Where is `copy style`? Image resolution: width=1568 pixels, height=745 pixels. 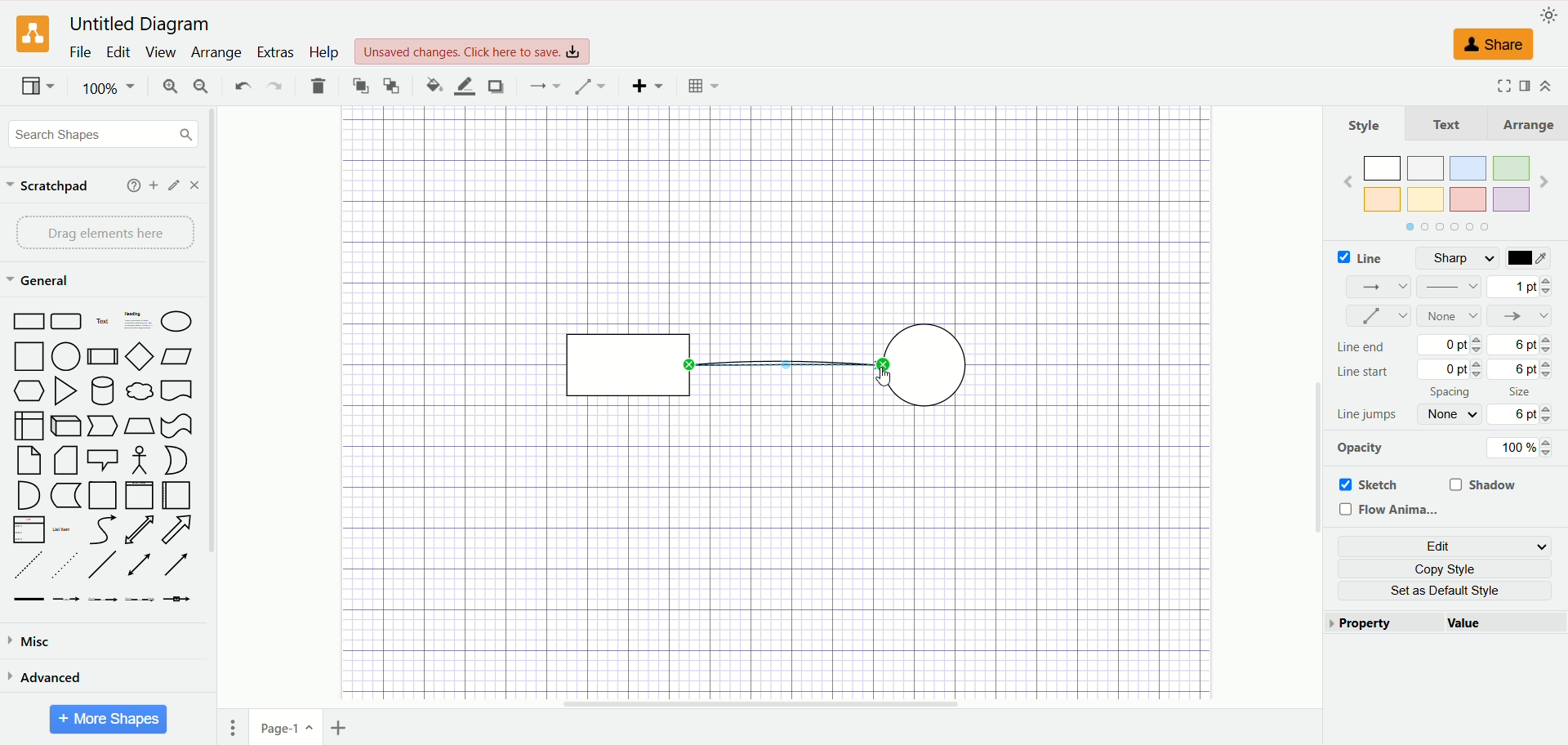 copy style is located at coordinates (1444, 569).